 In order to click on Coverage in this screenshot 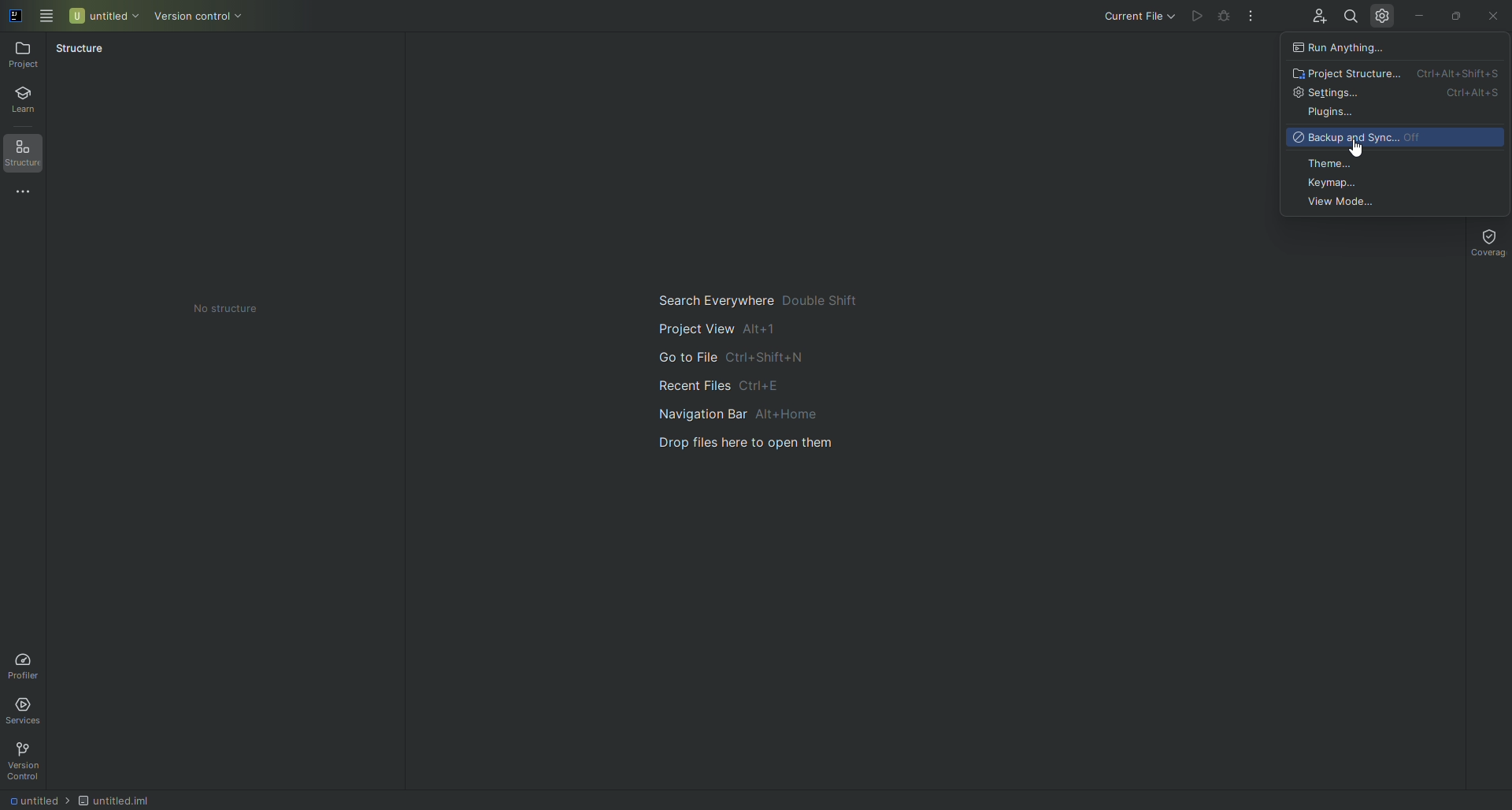, I will do `click(1484, 241)`.